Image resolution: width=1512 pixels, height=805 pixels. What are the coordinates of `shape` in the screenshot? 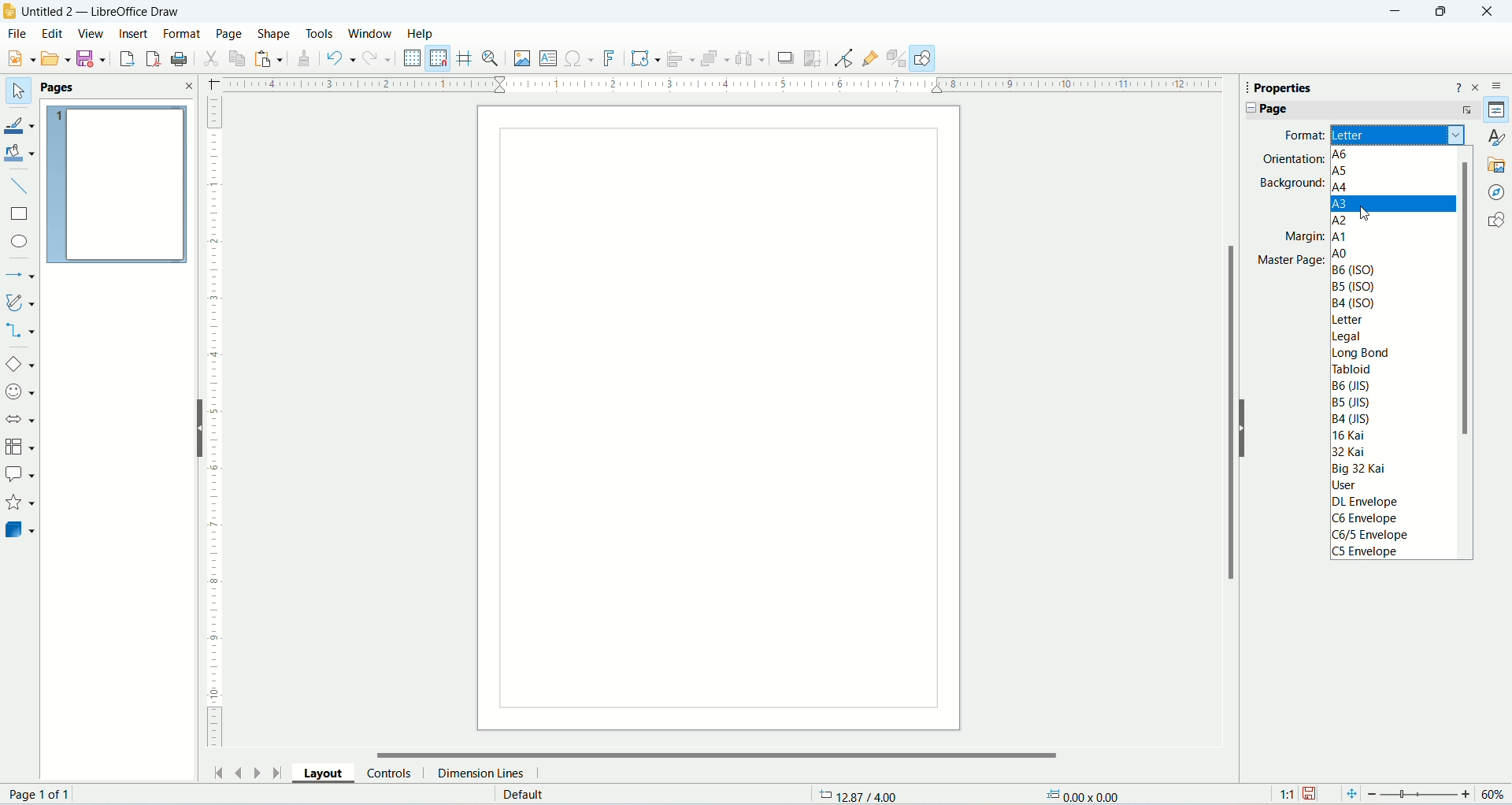 It's located at (275, 35).